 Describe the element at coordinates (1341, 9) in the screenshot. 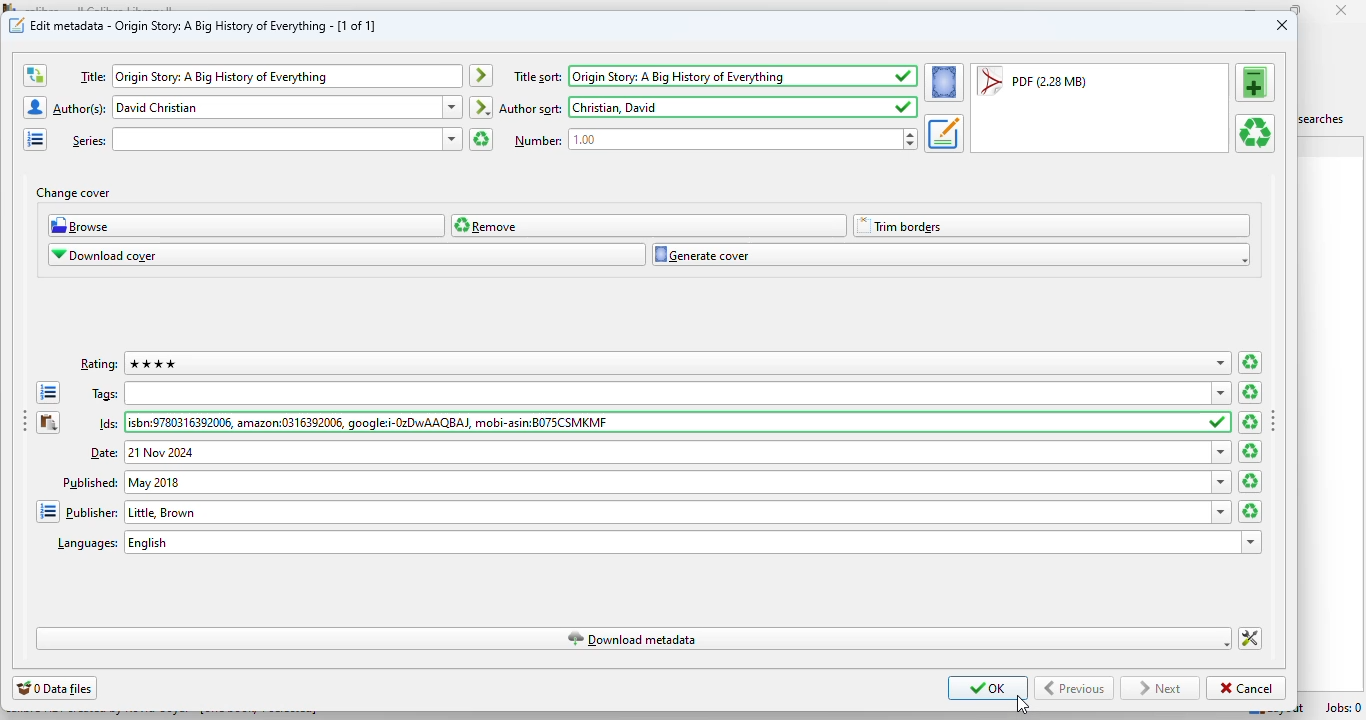

I see `close` at that location.